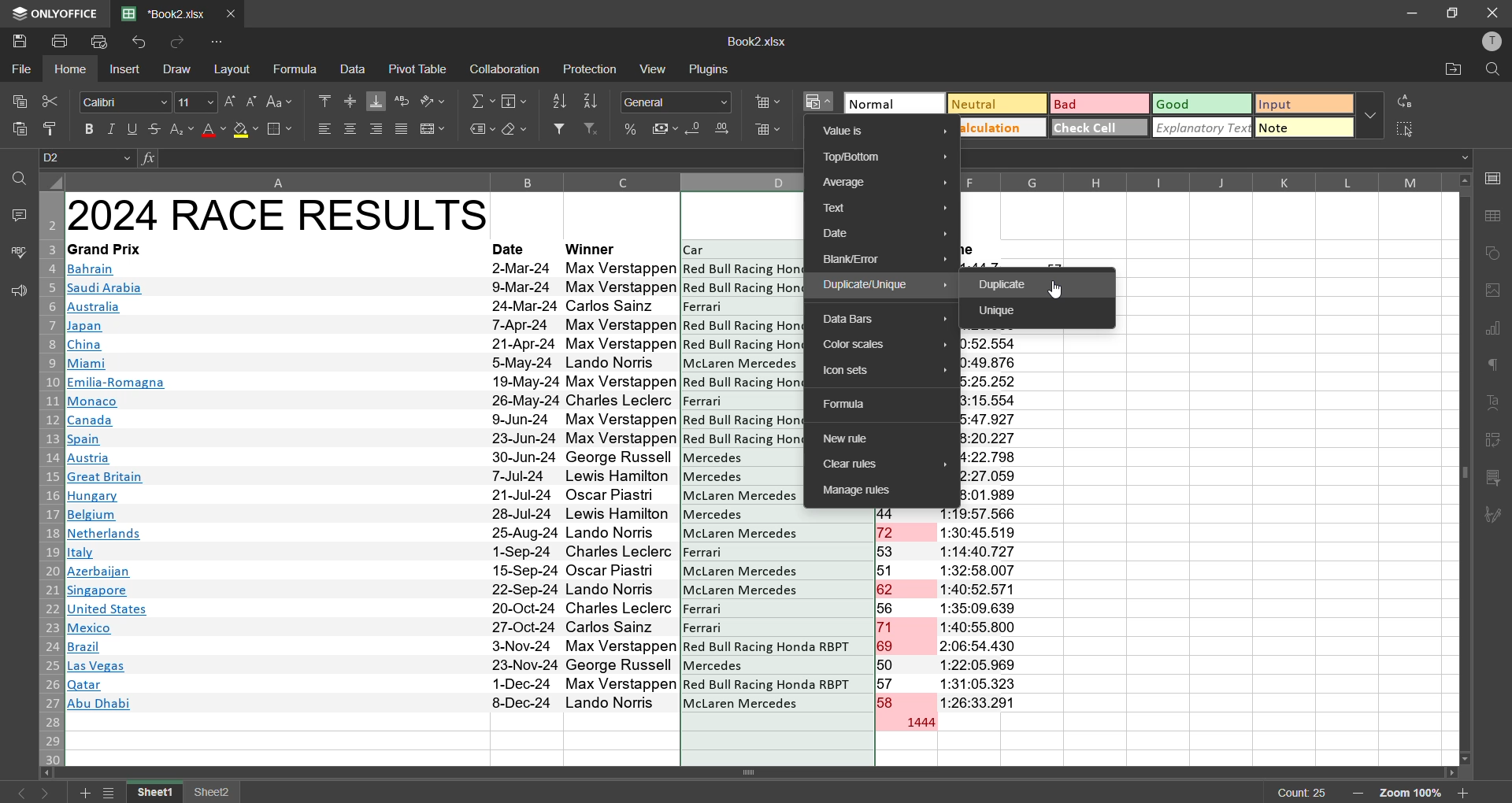 This screenshot has width=1512, height=803. Describe the element at coordinates (1496, 368) in the screenshot. I see `paragraph` at that location.